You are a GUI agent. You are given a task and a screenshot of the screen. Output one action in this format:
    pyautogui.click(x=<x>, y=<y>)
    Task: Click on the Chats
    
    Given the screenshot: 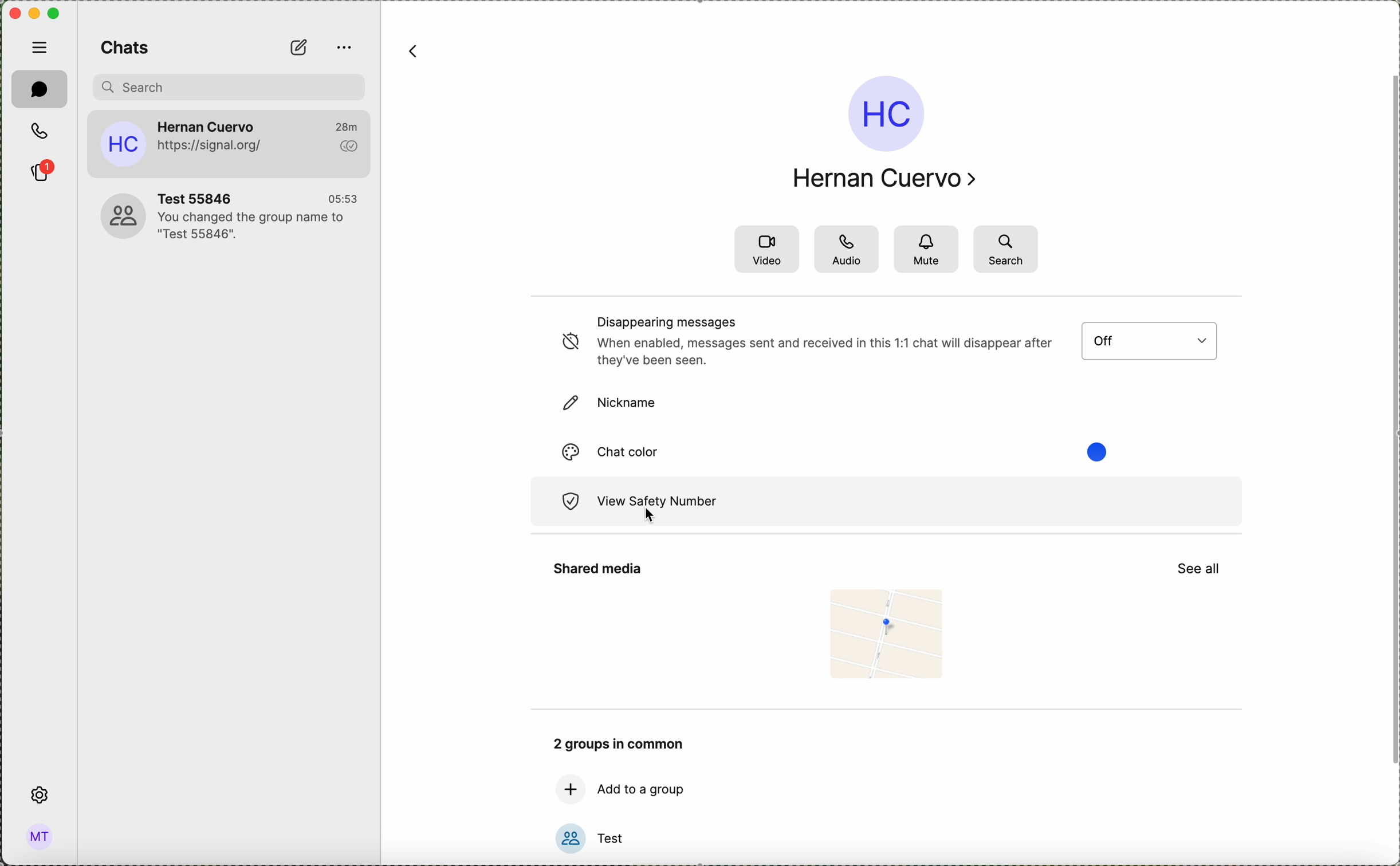 What is the action you would take?
    pyautogui.click(x=128, y=47)
    